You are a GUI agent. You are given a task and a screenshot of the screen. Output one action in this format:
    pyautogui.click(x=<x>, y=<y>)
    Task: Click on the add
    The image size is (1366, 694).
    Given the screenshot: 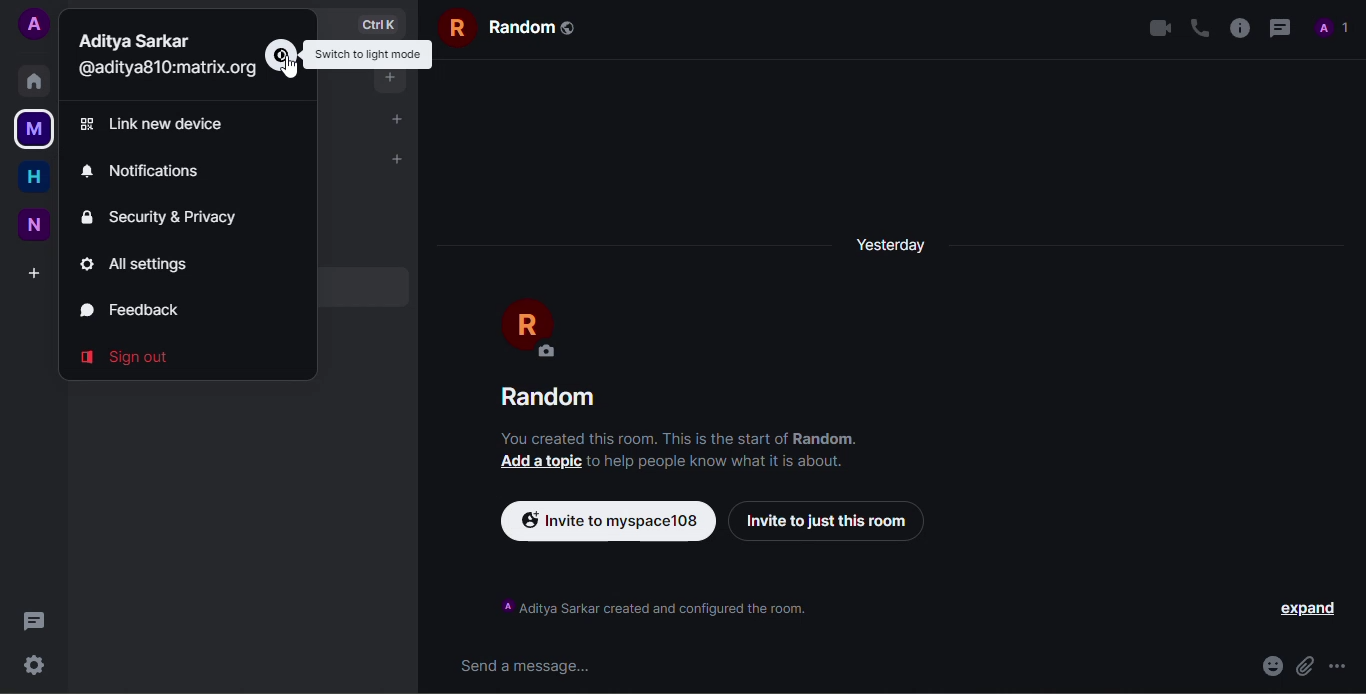 What is the action you would take?
    pyautogui.click(x=398, y=118)
    